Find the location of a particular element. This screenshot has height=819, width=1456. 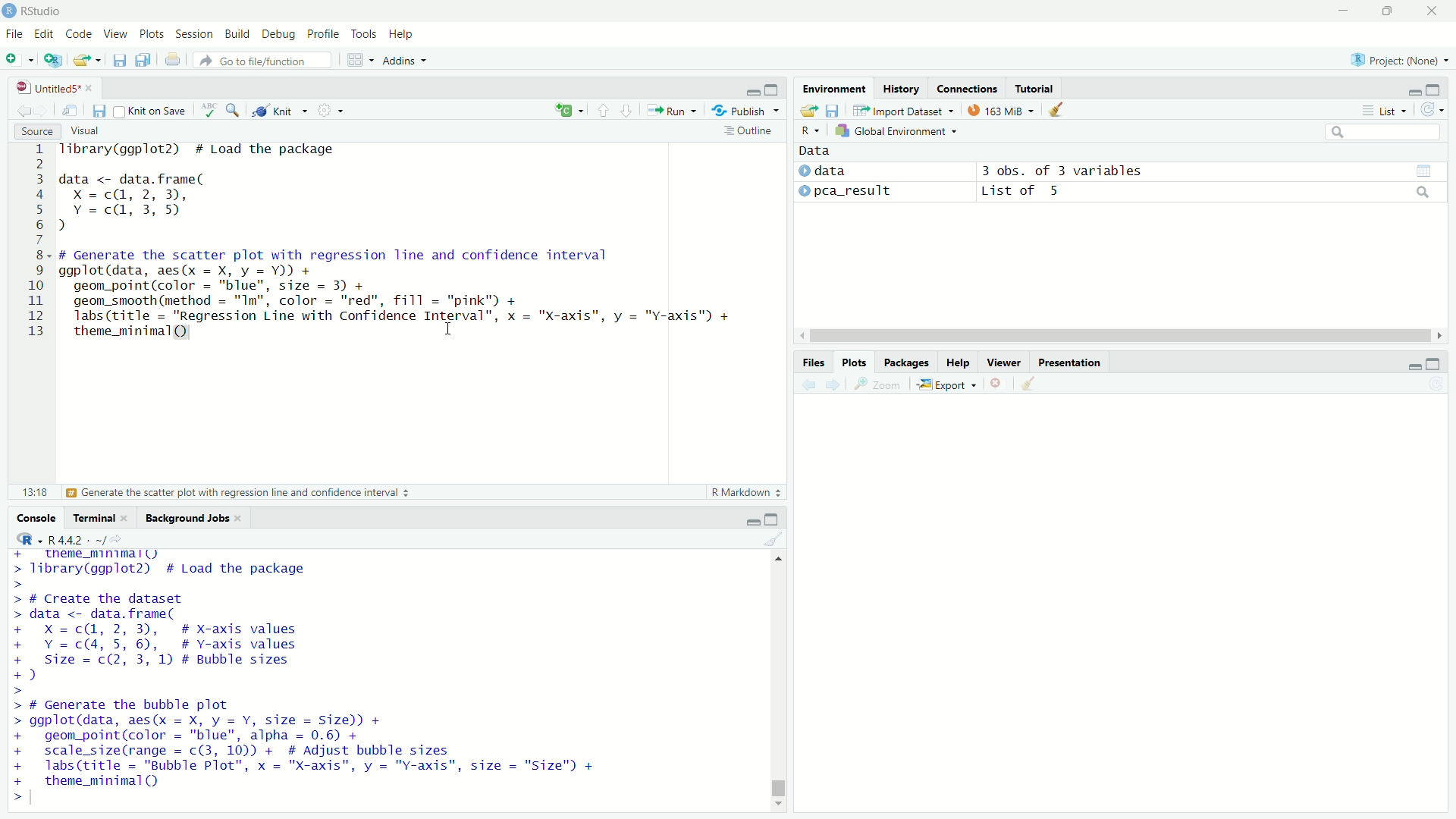

Viewer is located at coordinates (1004, 362).